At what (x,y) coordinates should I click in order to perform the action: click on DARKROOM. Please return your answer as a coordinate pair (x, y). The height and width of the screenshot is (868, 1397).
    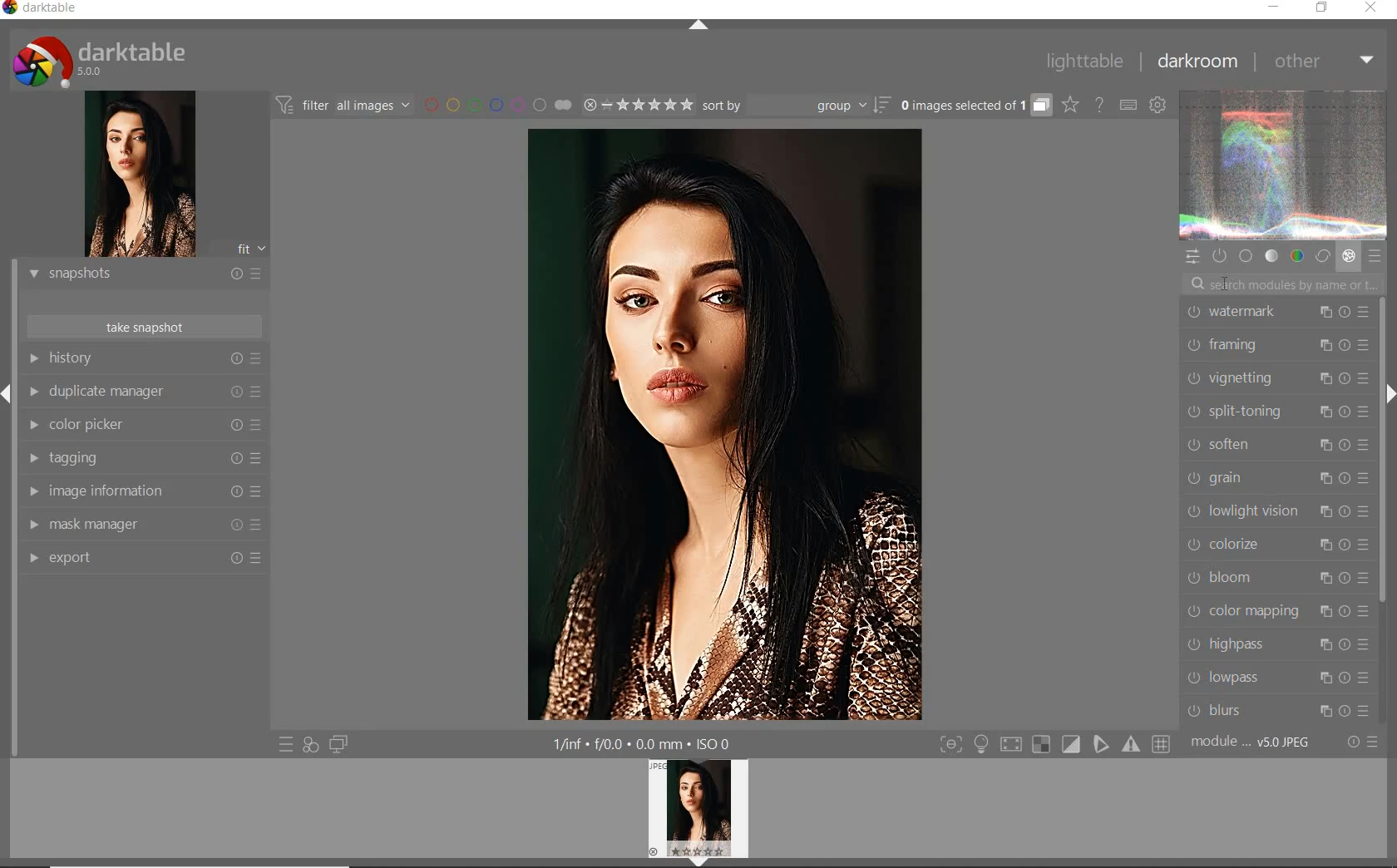
    Looking at the image, I should click on (1197, 62).